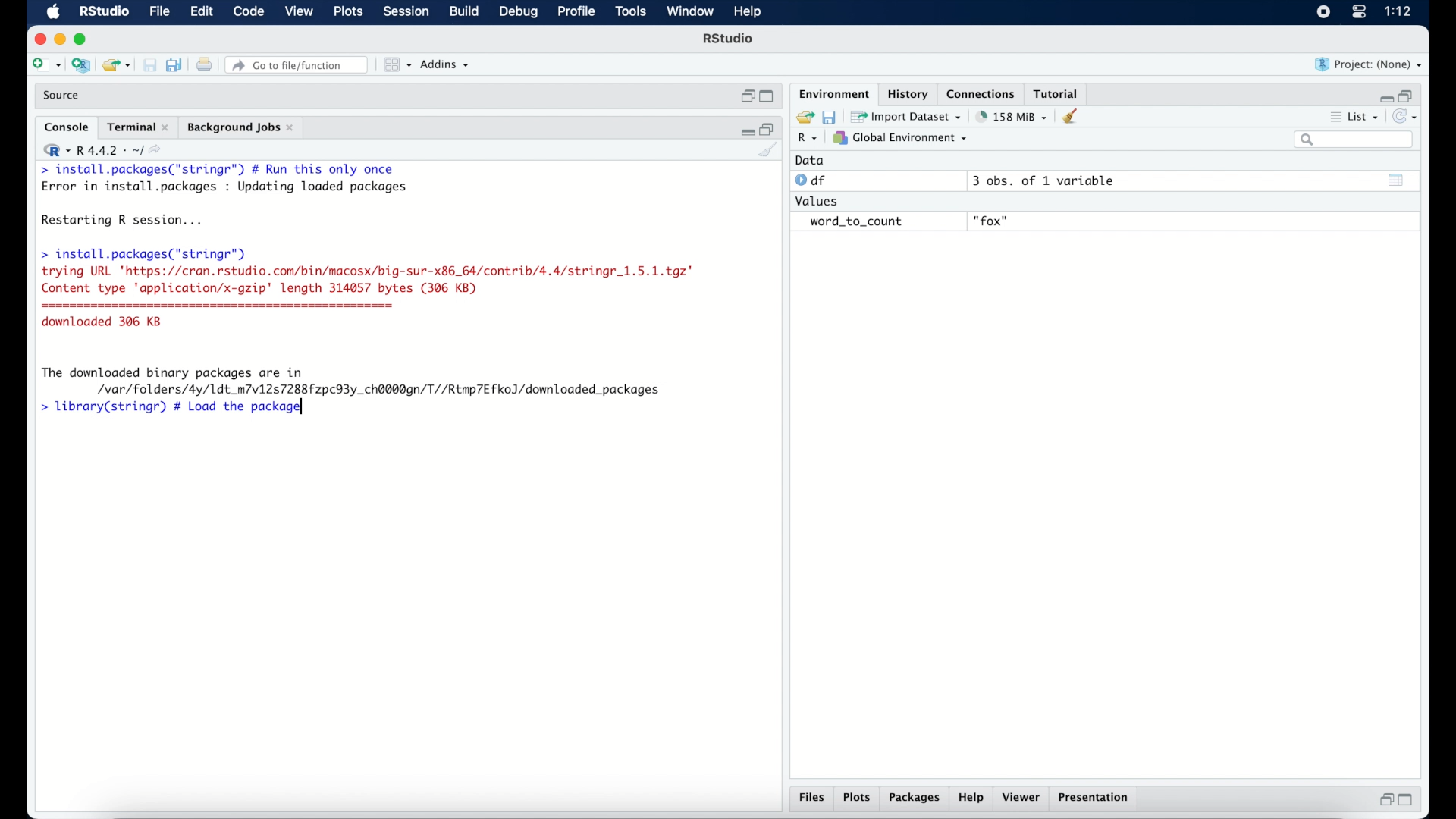 Image resolution: width=1456 pixels, height=819 pixels. Describe the element at coordinates (1397, 180) in the screenshot. I see `show output window` at that location.